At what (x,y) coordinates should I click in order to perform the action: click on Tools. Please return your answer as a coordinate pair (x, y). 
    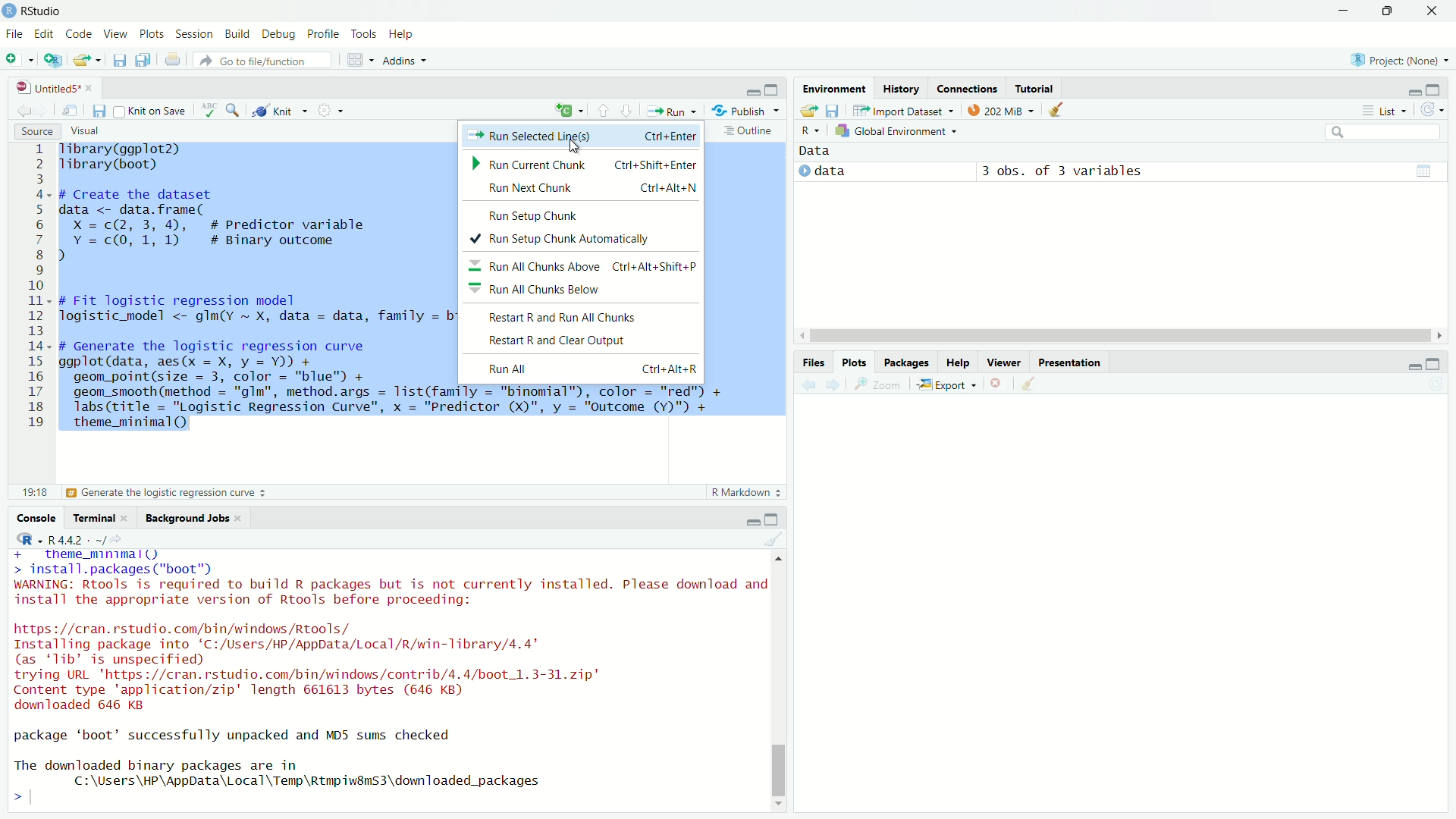
    Looking at the image, I should click on (362, 33).